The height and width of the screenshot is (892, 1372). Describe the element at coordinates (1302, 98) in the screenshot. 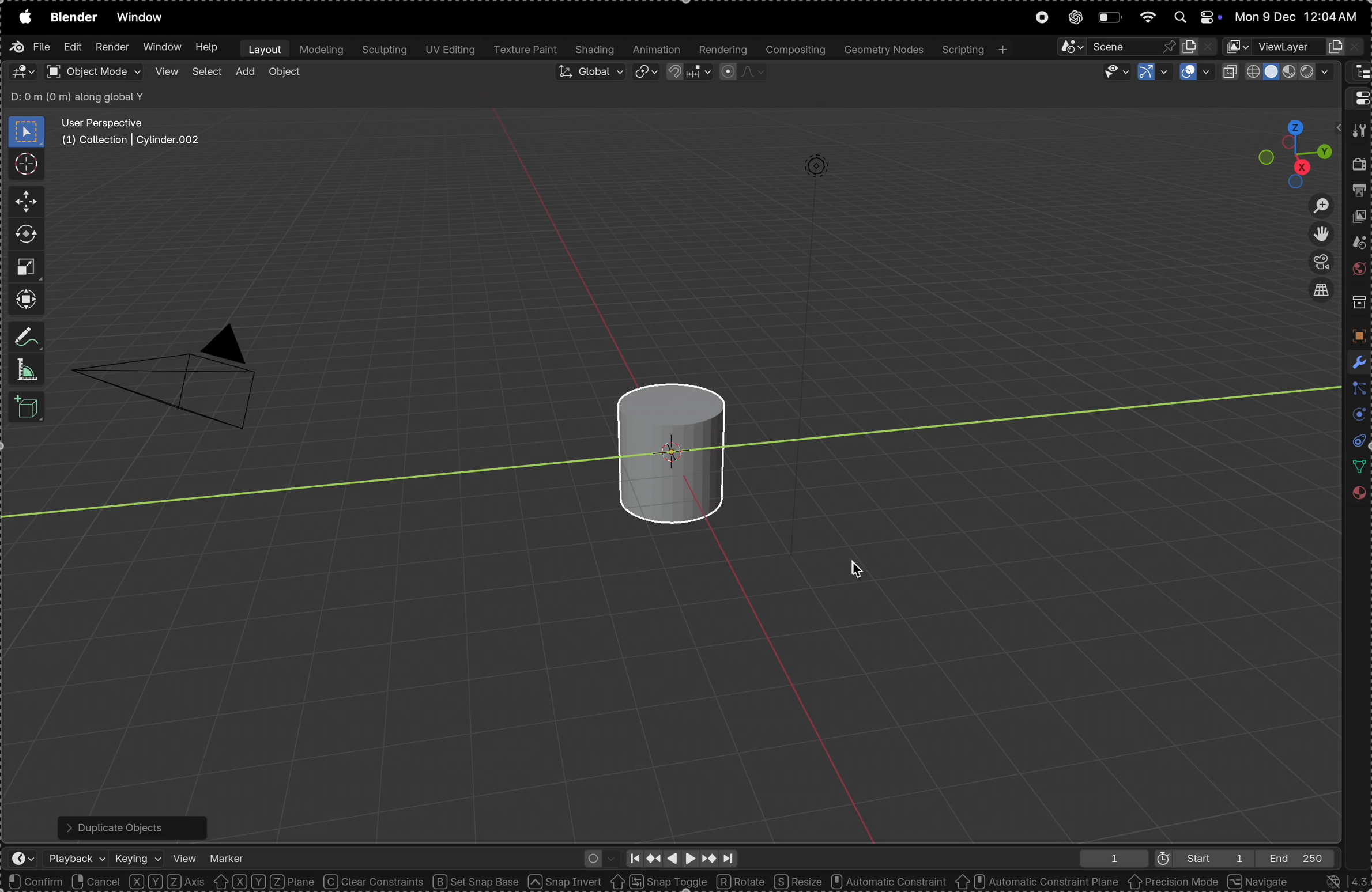

I see `options` at that location.